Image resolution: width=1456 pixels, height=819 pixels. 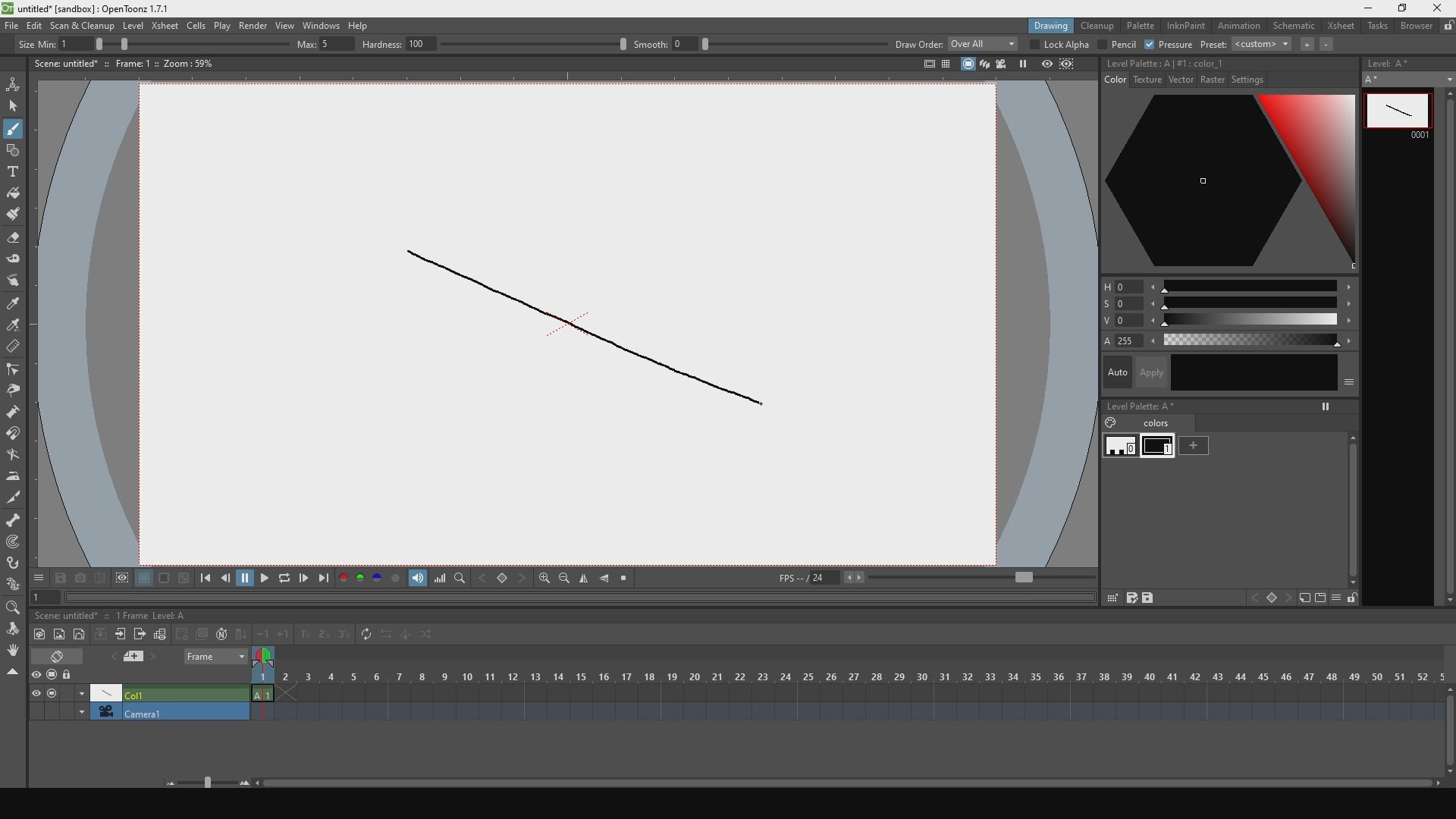 I want to click on close, so click(x=1436, y=8).